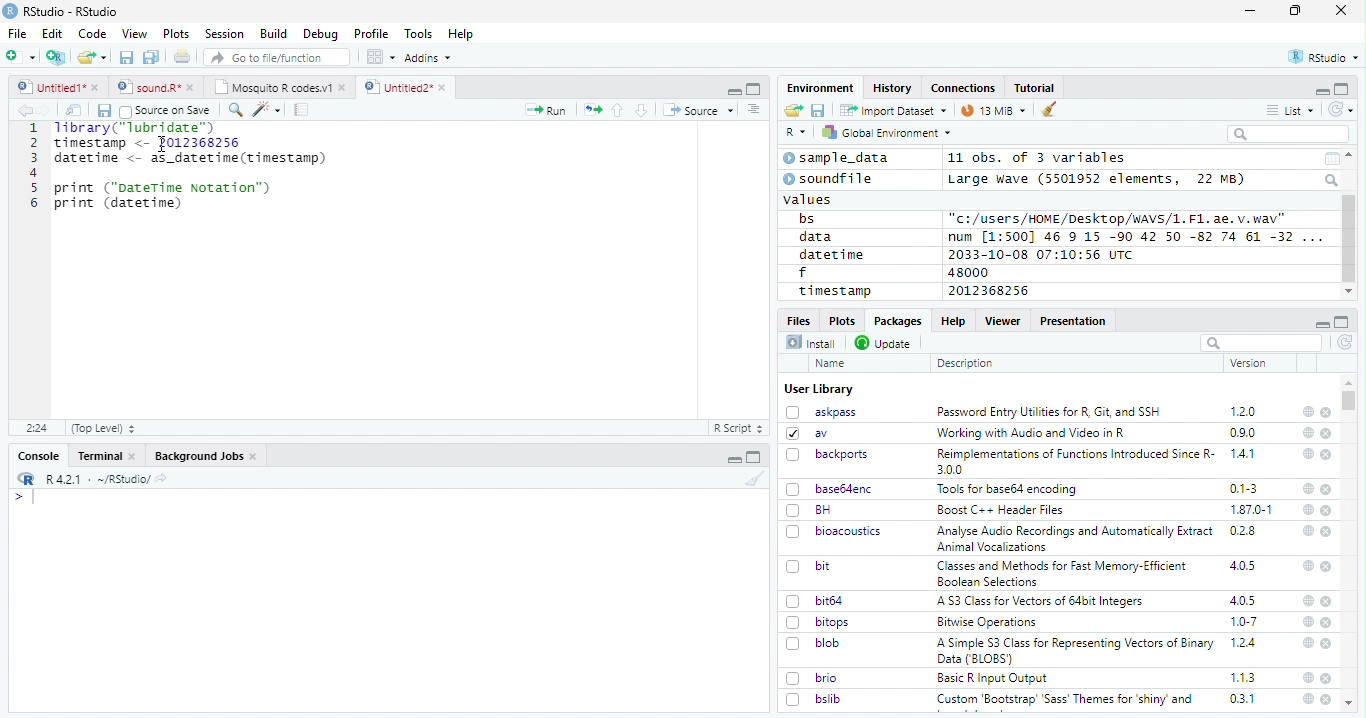  I want to click on Full screen, so click(754, 88).